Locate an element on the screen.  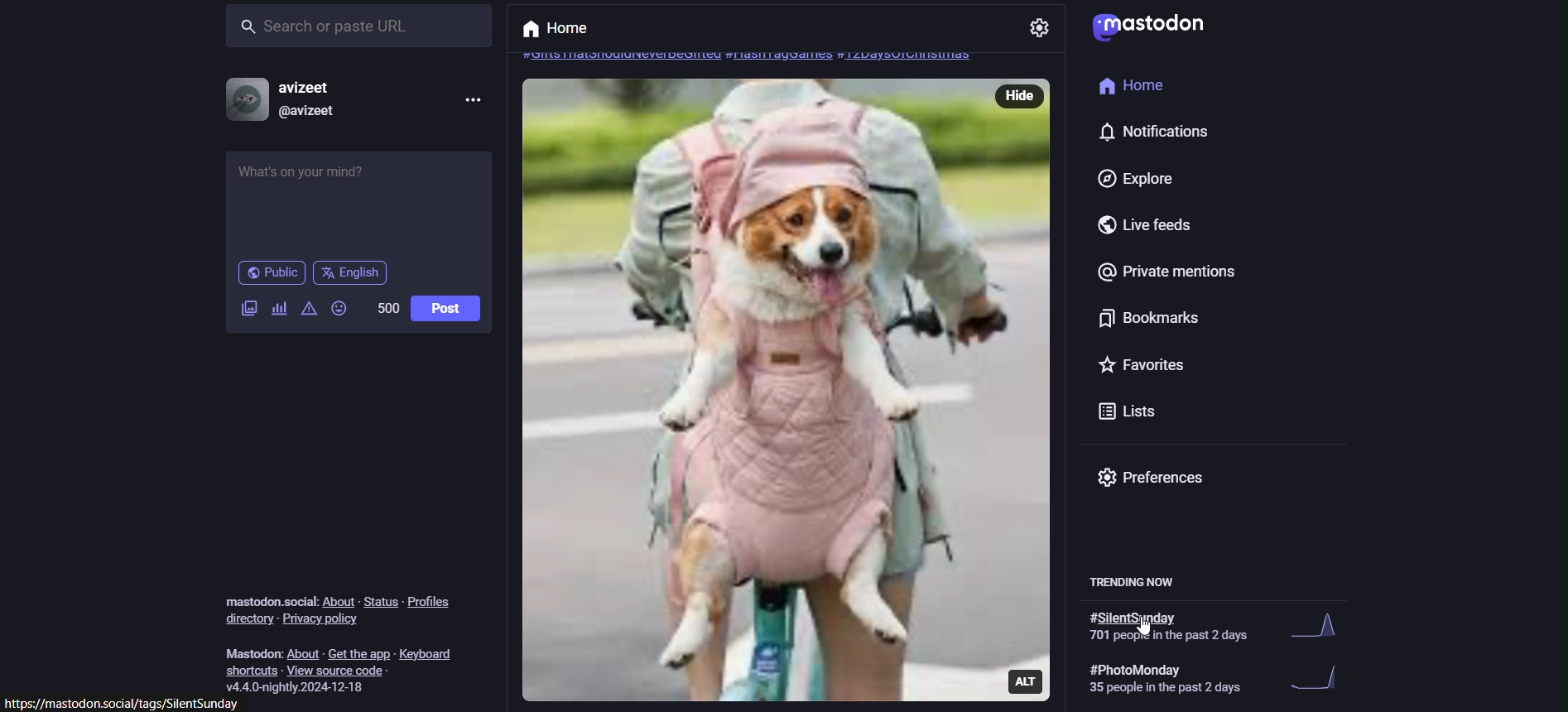
Mastodon is located at coordinates (249, 652).